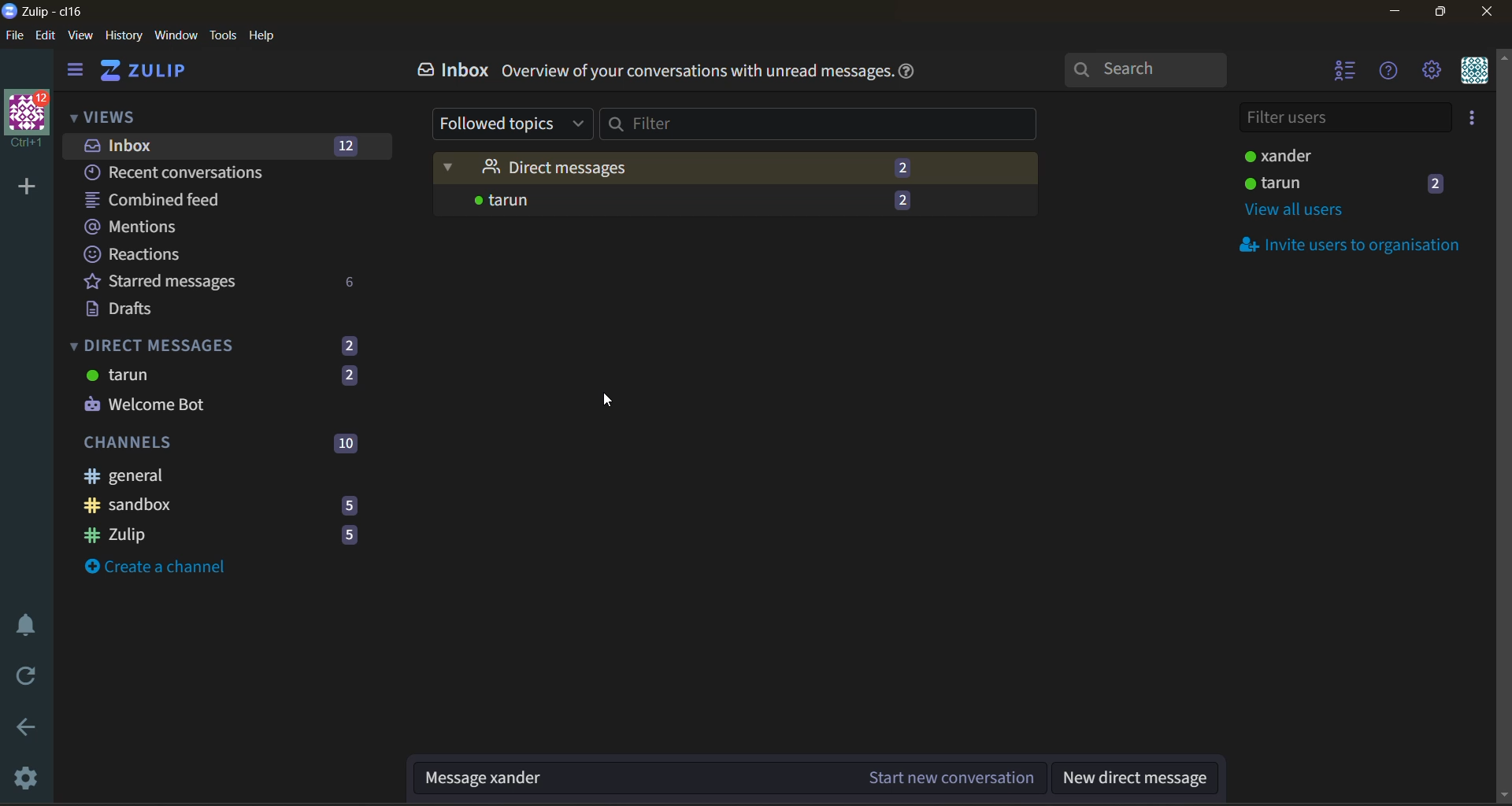  What do you see at coordinates (223, 537) in the screenshot?
I see `zulip 5` at bounding box center [223, 537].